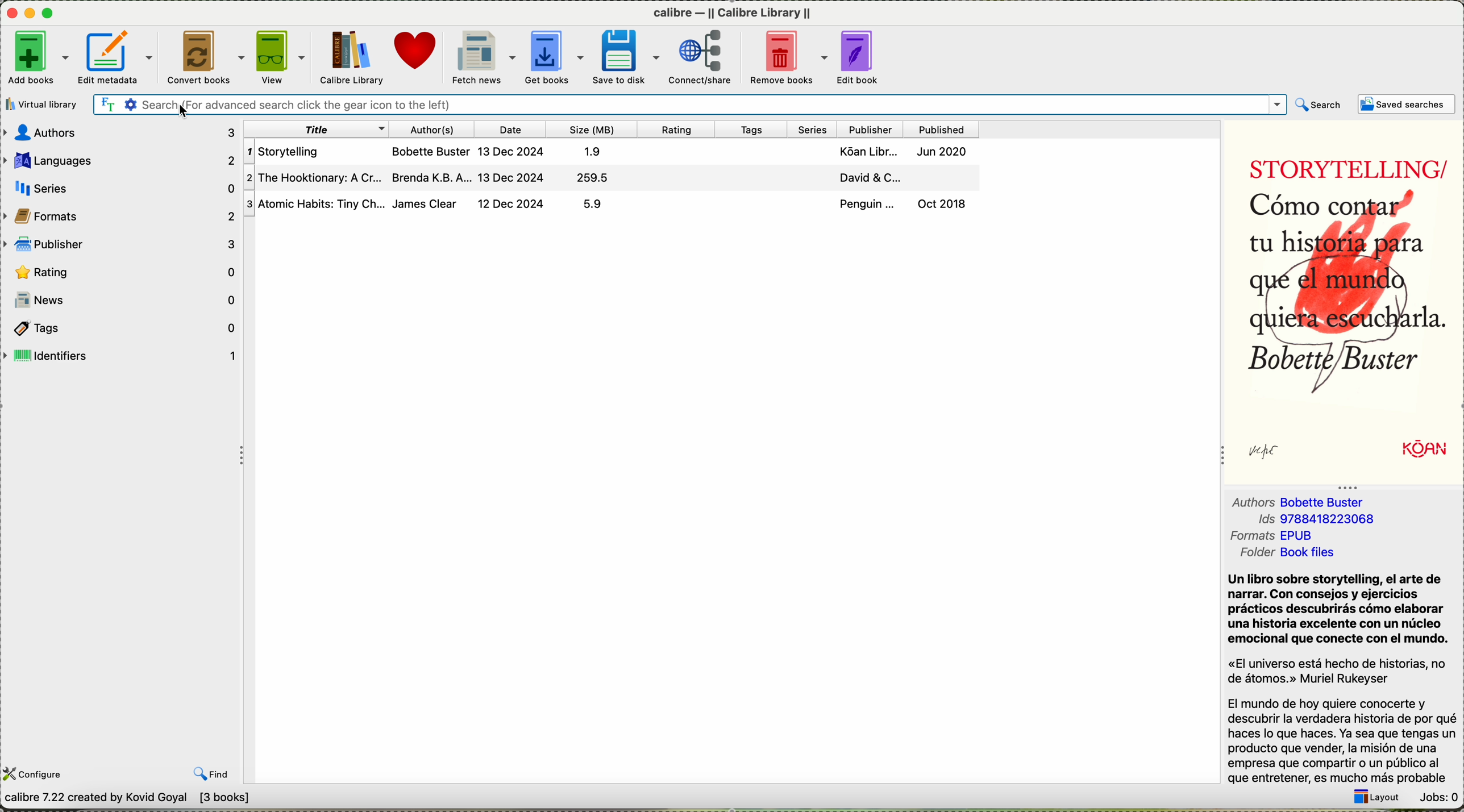 The width and height of the screenshot is (1464, 812). What do you see at coordinates (122, 299) in the screenshot?
I see `news` at bounding box center [122, 299].